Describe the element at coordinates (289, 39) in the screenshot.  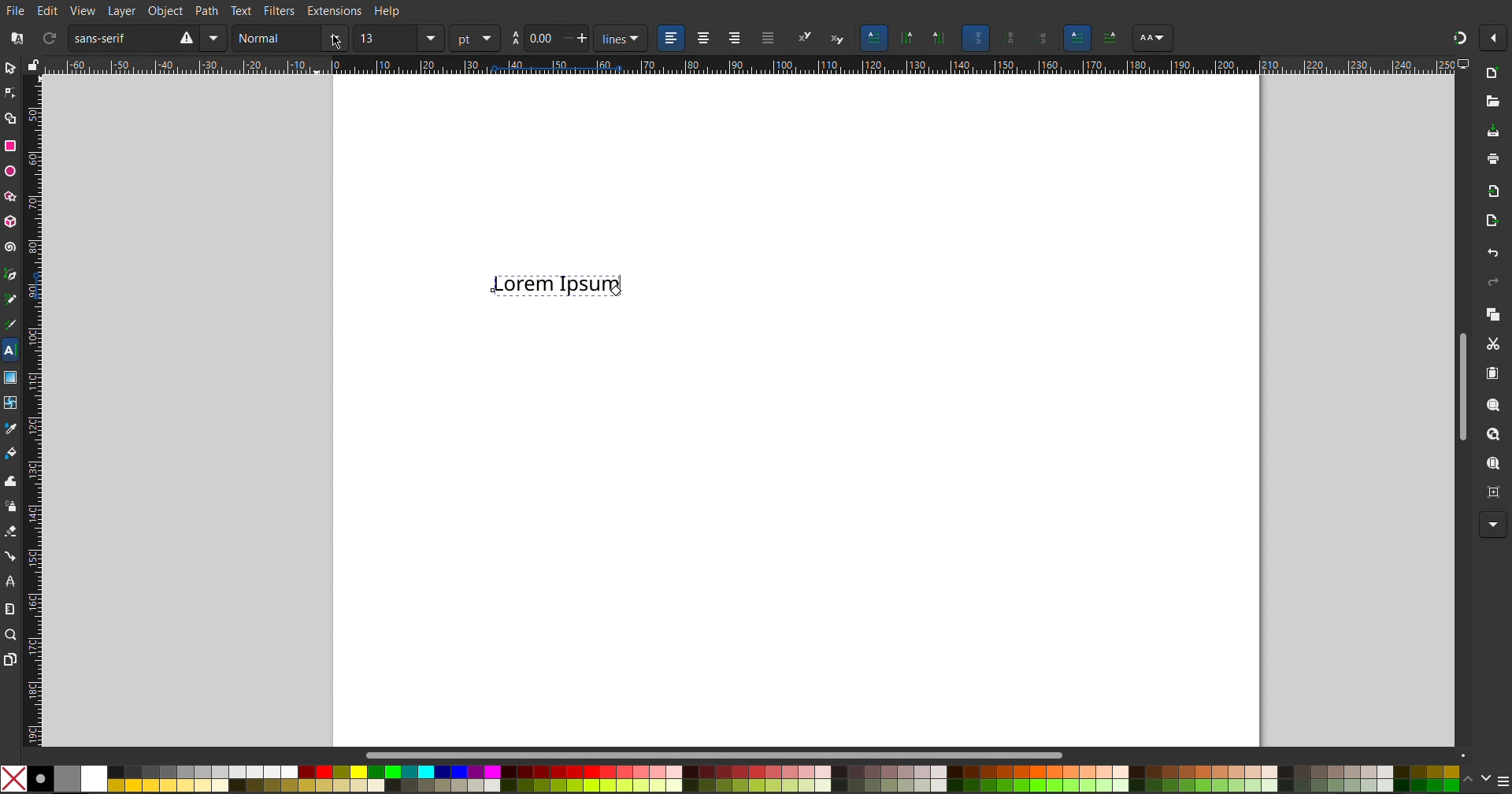
I see `Font Style` at that location.